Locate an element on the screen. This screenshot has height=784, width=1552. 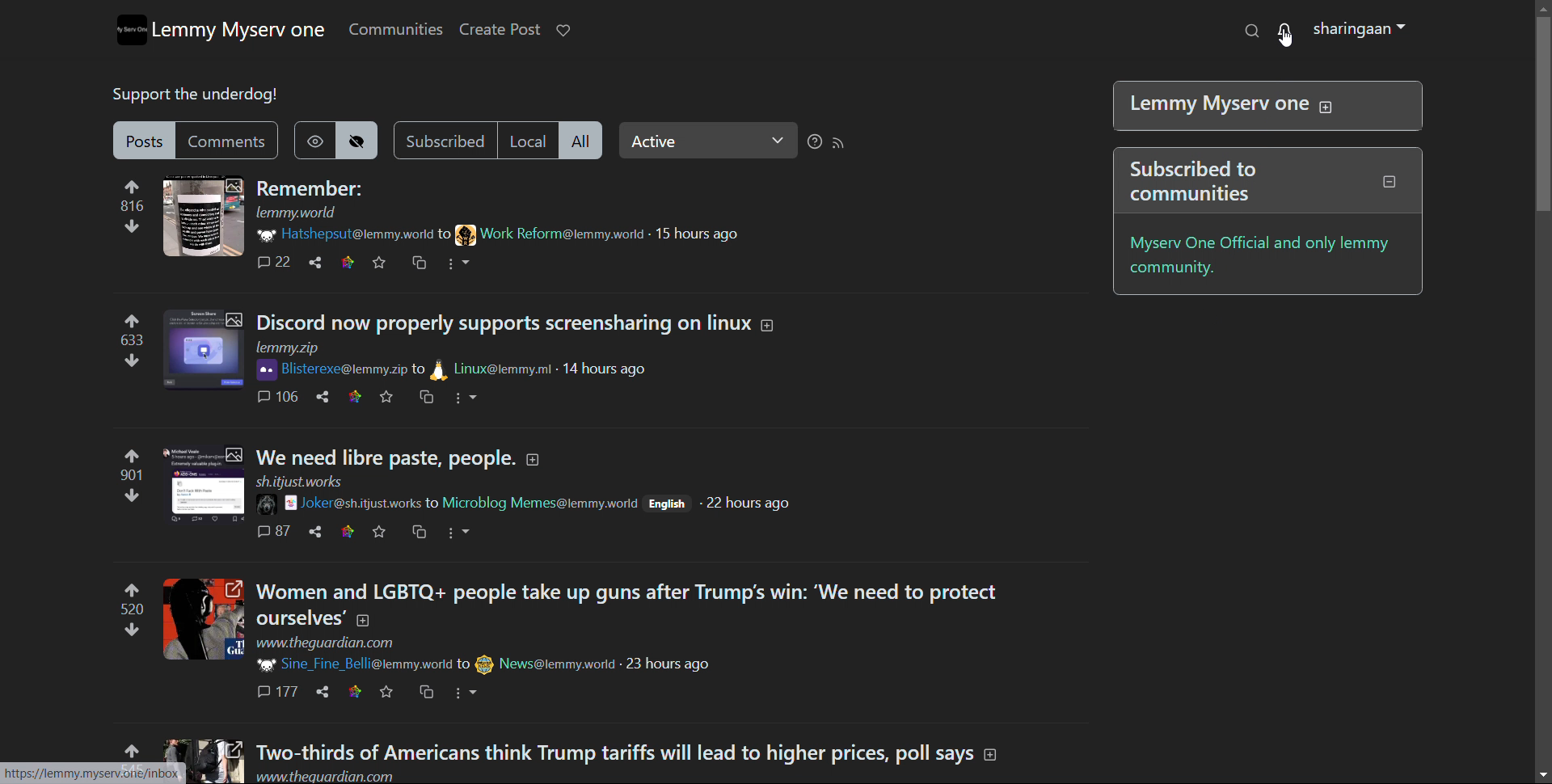
Pointer is located at coordinates (1288, 44).